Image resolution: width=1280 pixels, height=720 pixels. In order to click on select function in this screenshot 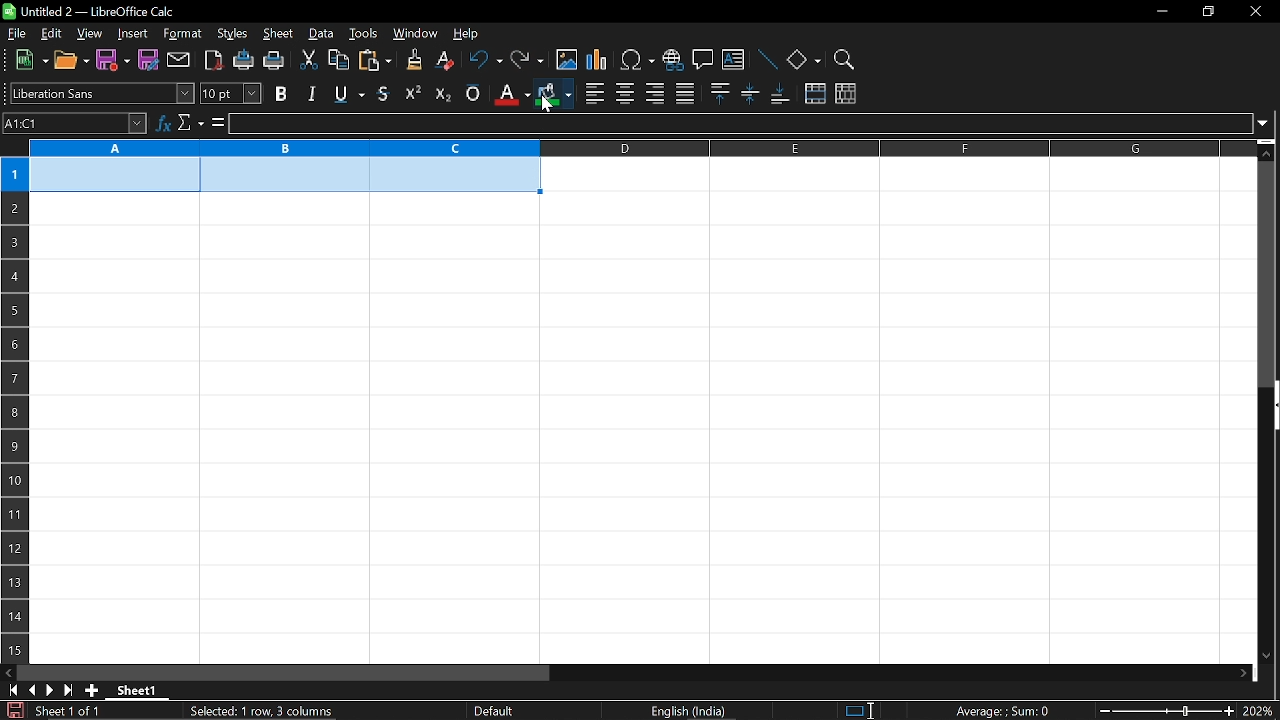, I will do `click(190, 124)`.